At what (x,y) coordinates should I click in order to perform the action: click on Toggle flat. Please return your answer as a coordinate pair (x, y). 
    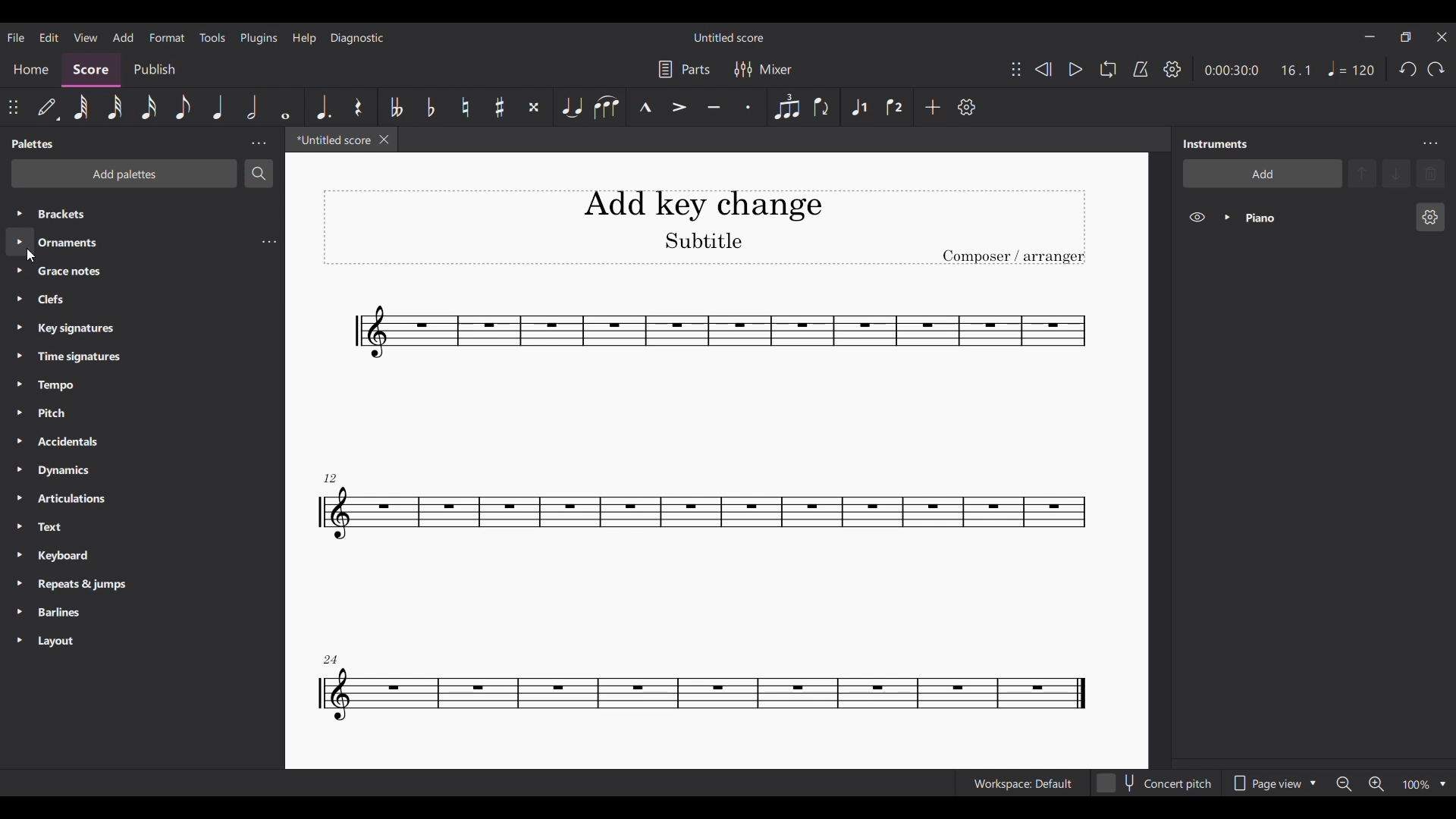
    Looking at the image, I should click on (431, 108).